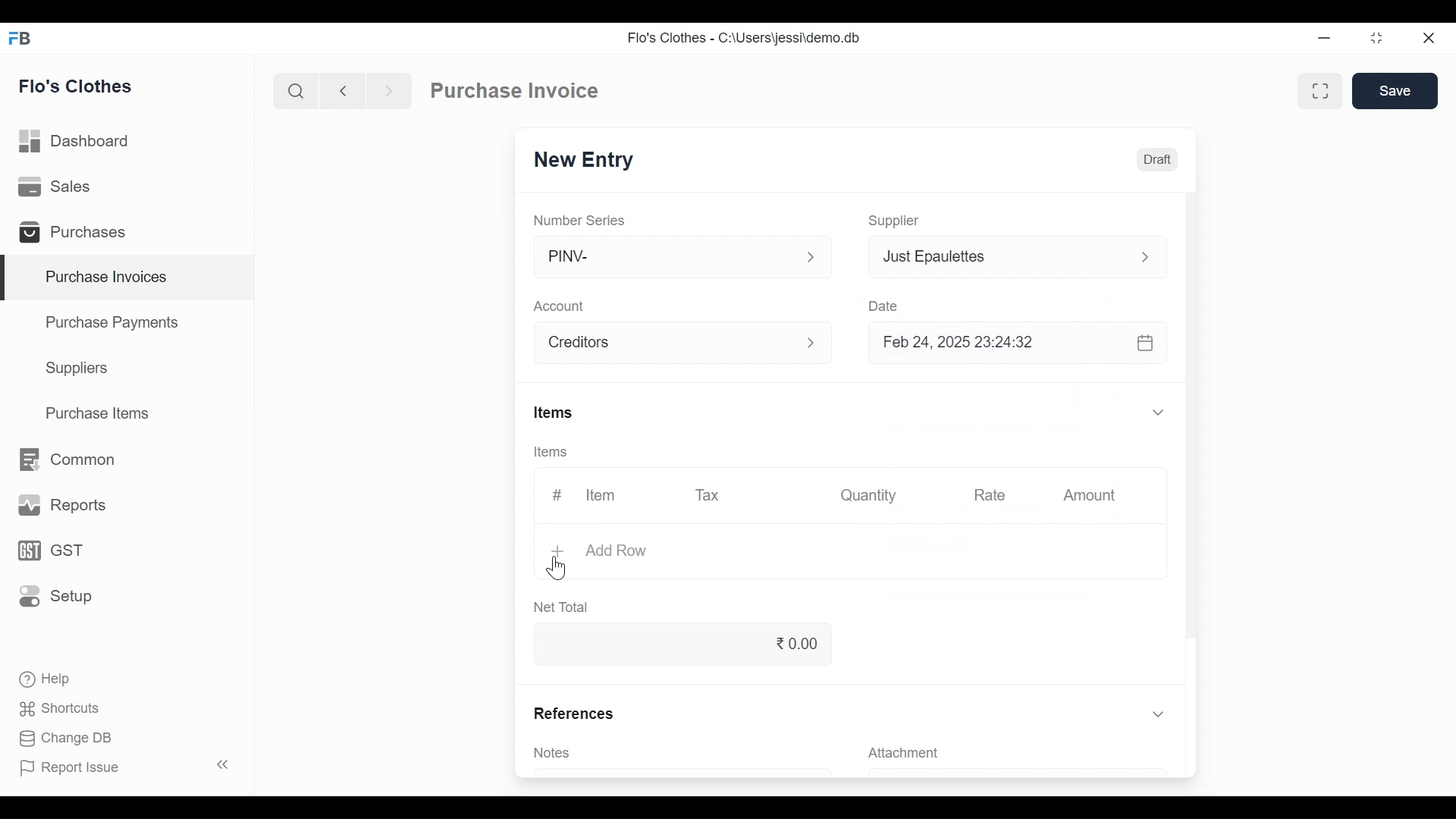 This screenshot has height=819, width=1456. What do you see at coordinates (817, 344) in the screenshot?
I see `Expand` at bounding box center [817, 344].